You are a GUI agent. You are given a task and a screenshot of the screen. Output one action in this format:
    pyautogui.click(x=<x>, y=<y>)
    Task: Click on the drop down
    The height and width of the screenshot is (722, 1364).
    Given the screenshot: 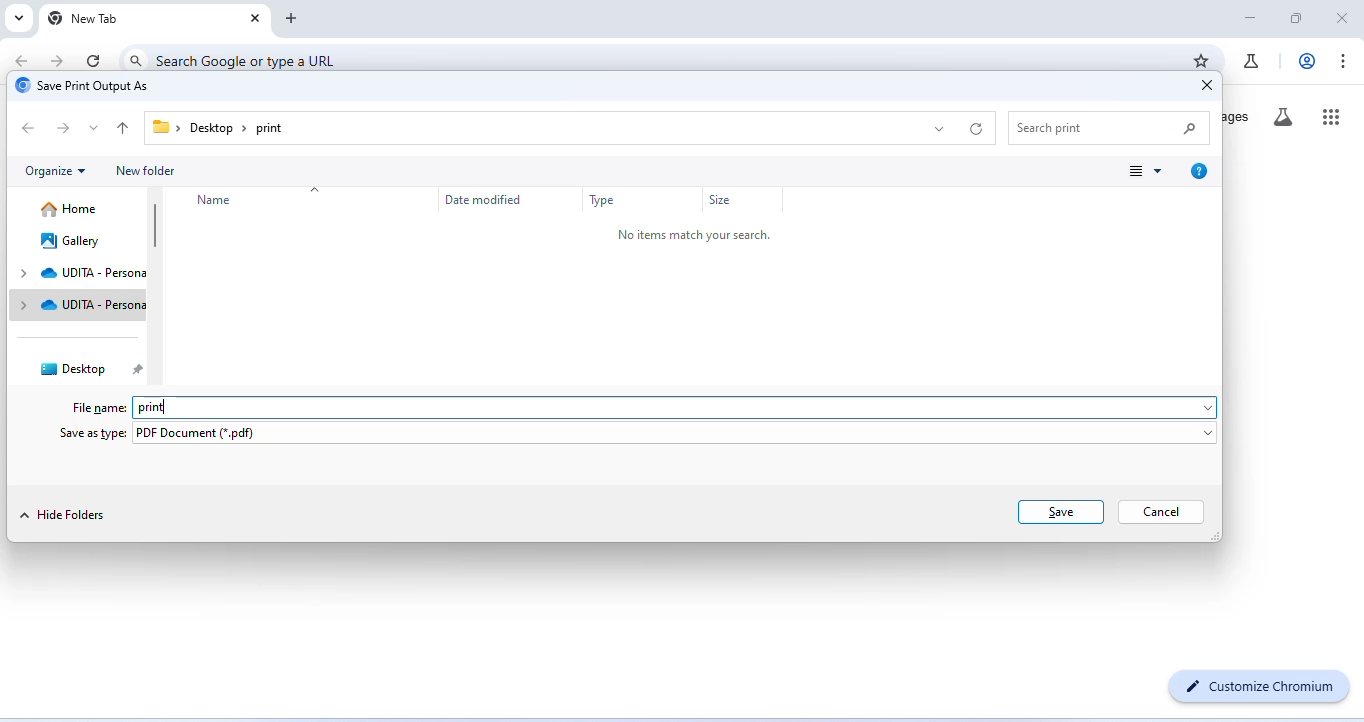 What is the action you would take?
    pyautogui.click(x=21, y=289)
    